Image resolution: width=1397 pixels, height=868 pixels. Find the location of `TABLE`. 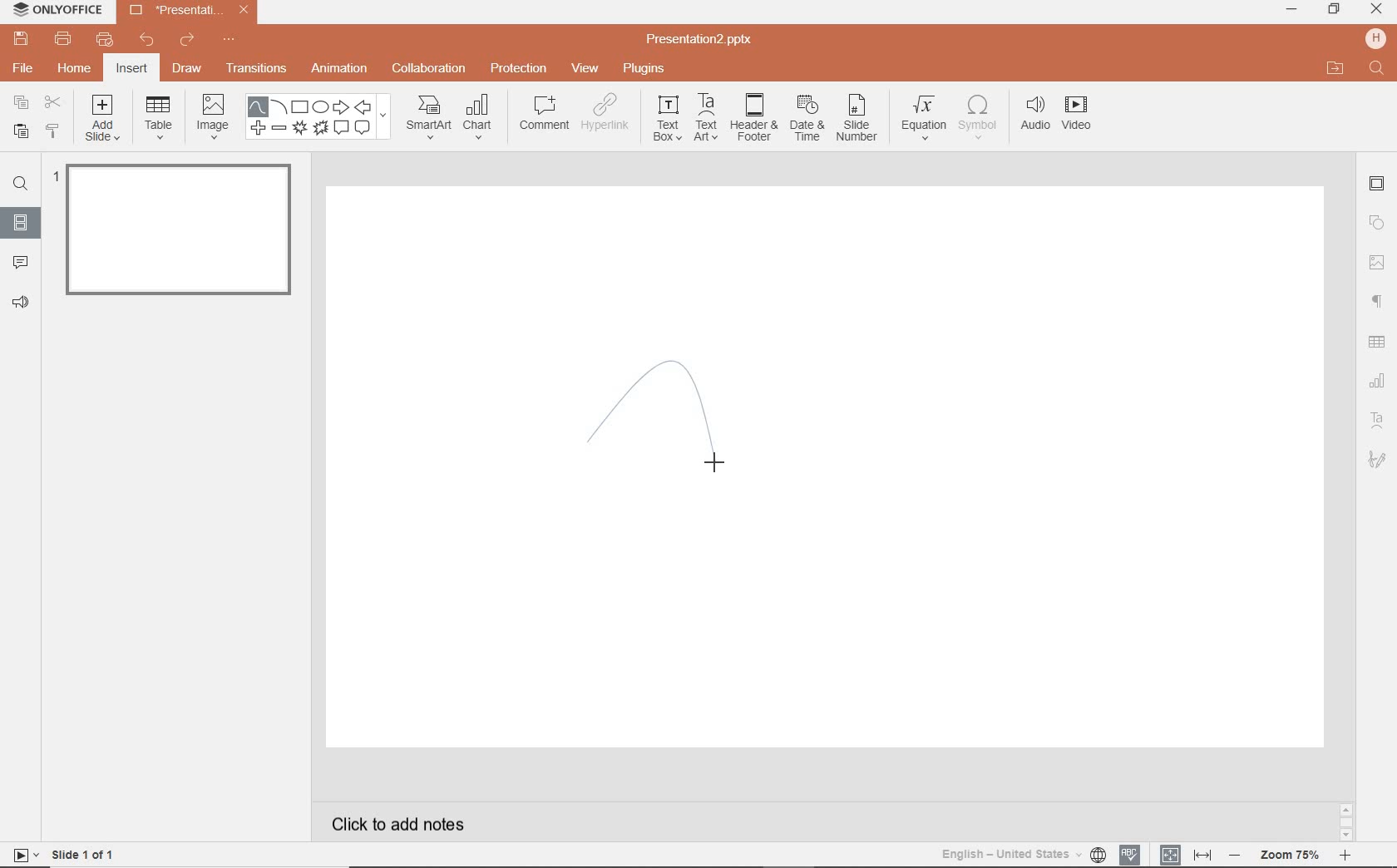

TABLE is located at coordinates (159, 119).